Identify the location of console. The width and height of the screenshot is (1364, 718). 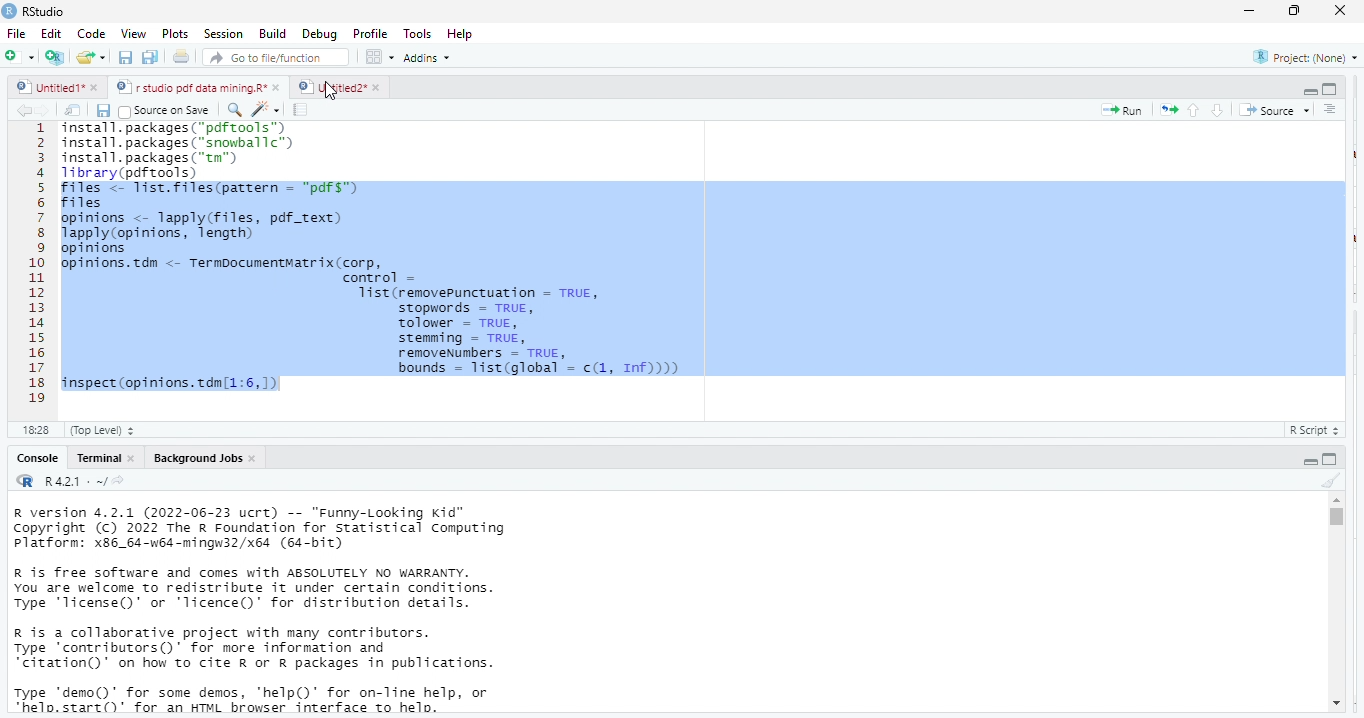
(36, 458).